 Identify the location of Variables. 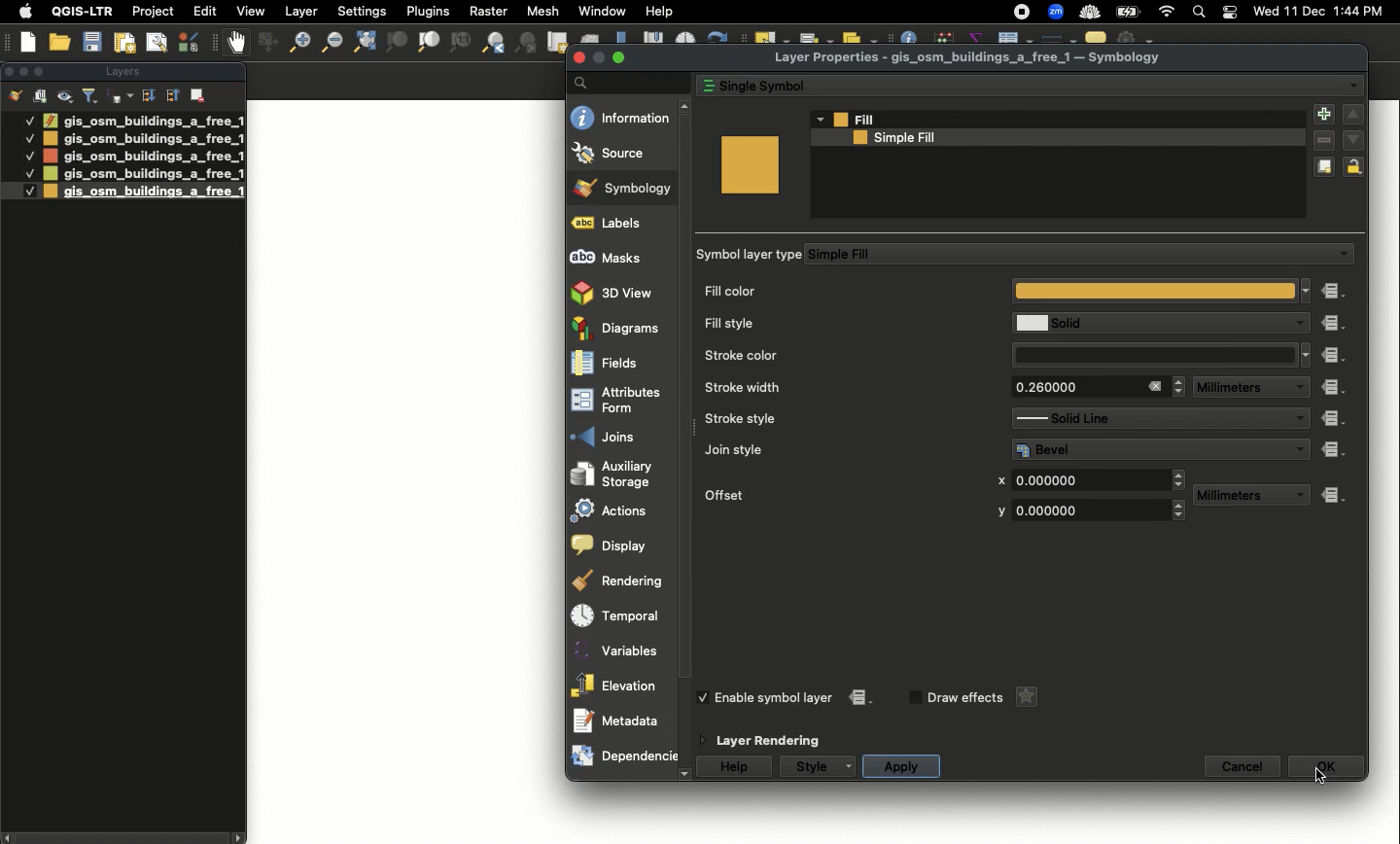
(620, 651).